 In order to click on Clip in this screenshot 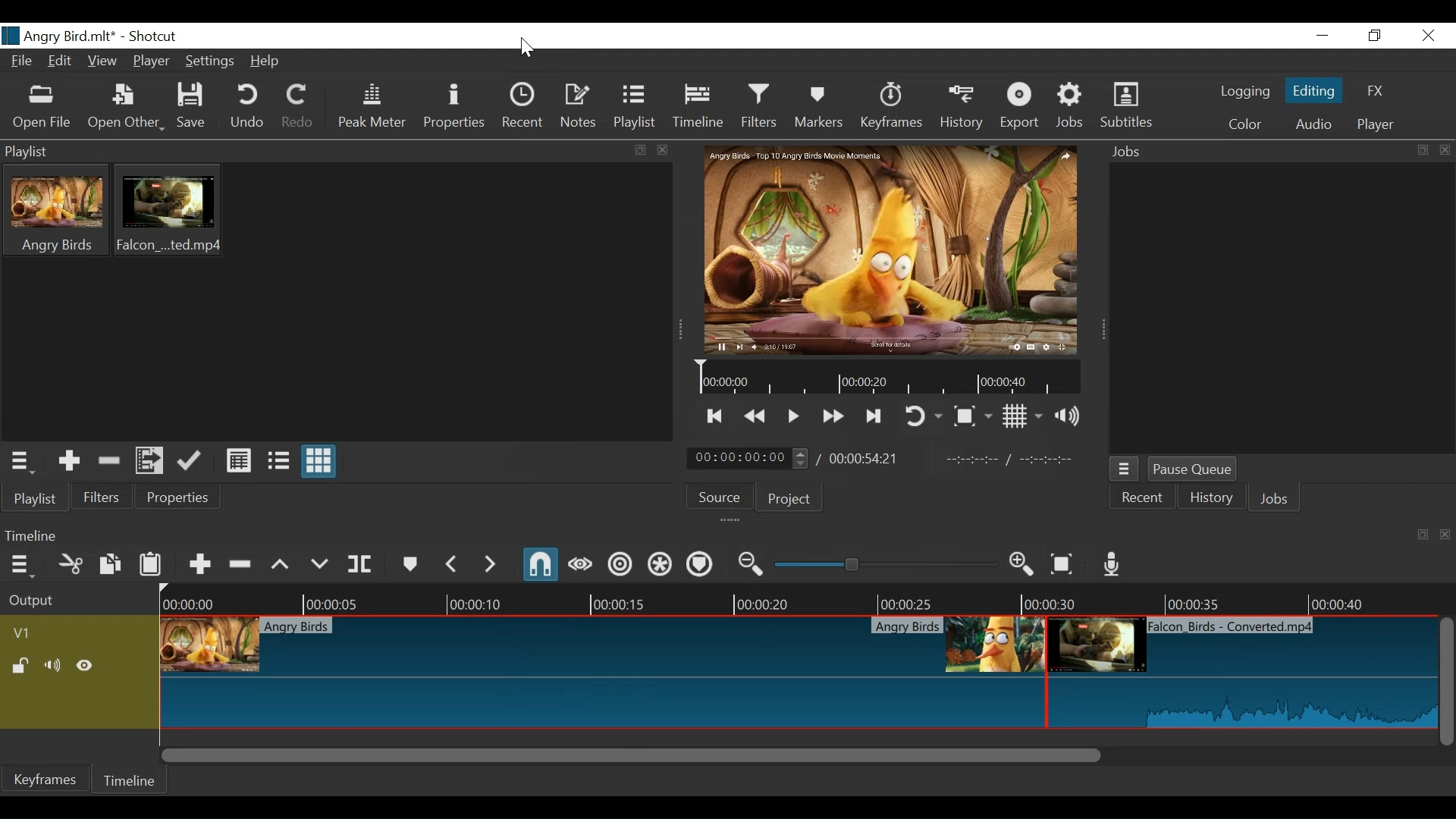, I will do `click(167, 211)`.